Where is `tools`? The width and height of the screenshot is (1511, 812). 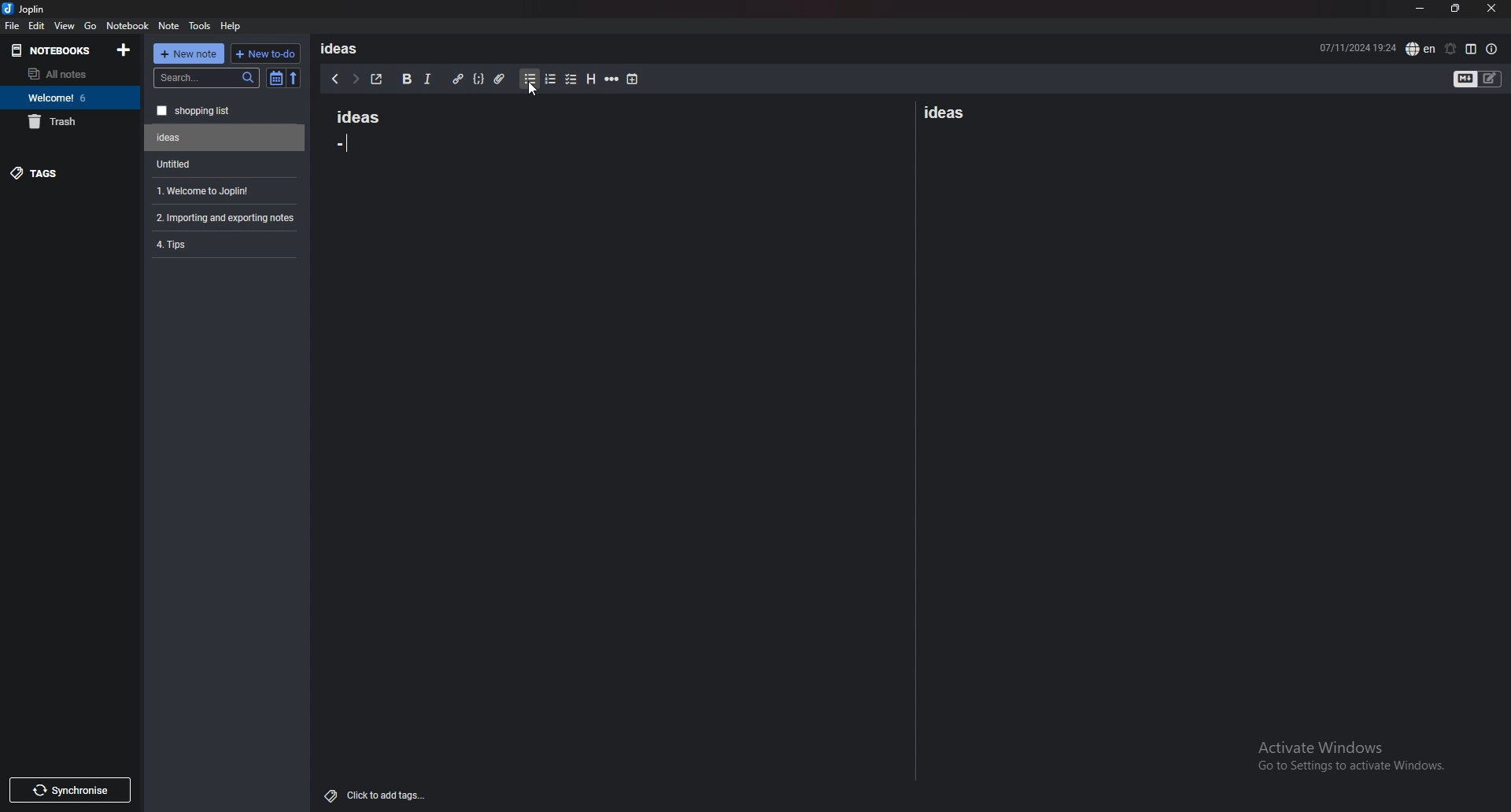
tools is located at coordinates (201, 26).